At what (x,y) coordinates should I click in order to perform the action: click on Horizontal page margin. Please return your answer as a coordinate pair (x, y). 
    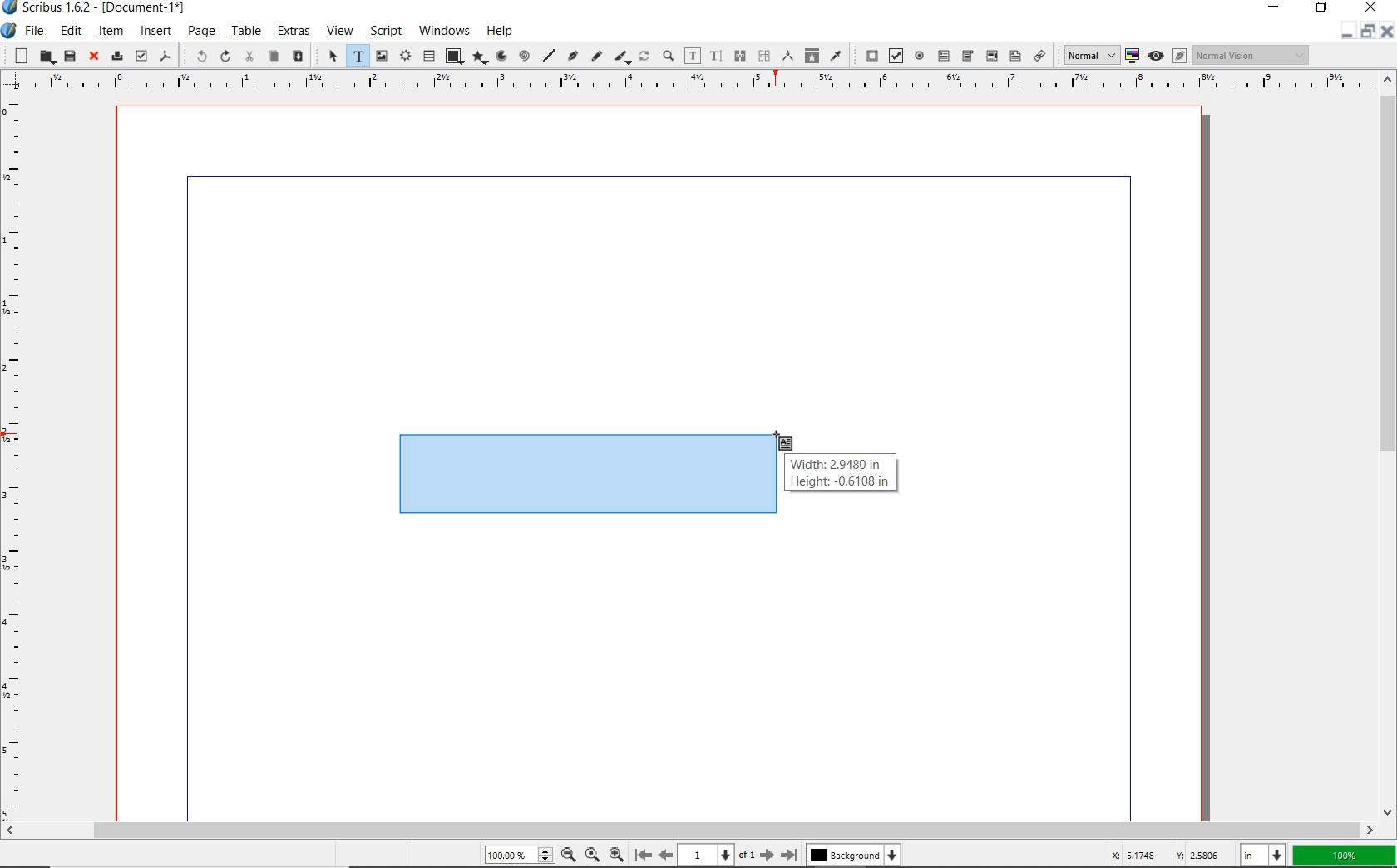
    Looking at the image, I should click on (23, 458).